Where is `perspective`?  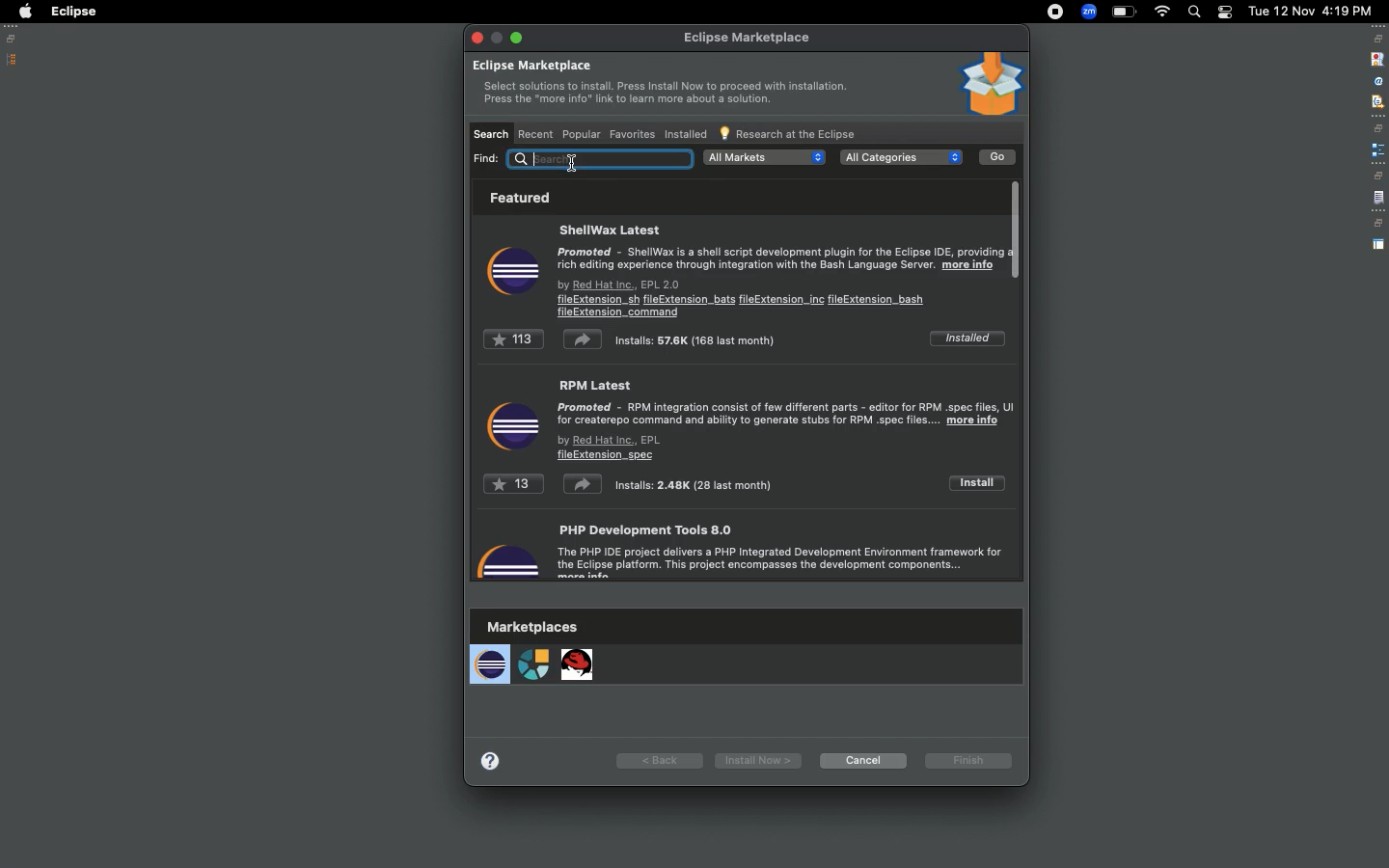
perspective is located at coordinates (1378, 245).